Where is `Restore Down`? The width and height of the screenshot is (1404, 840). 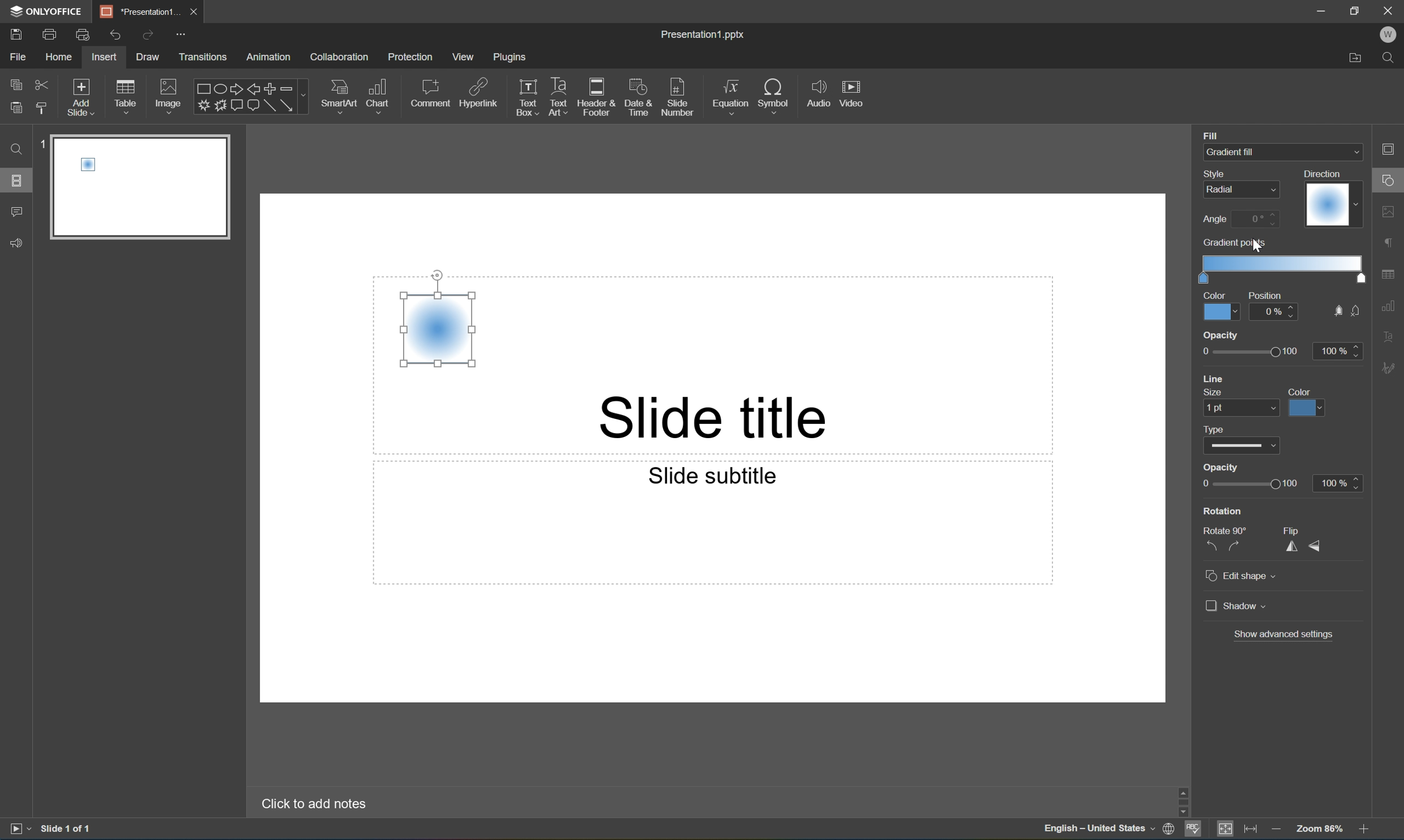
Restore Down is located at coordinates (1356, 8).